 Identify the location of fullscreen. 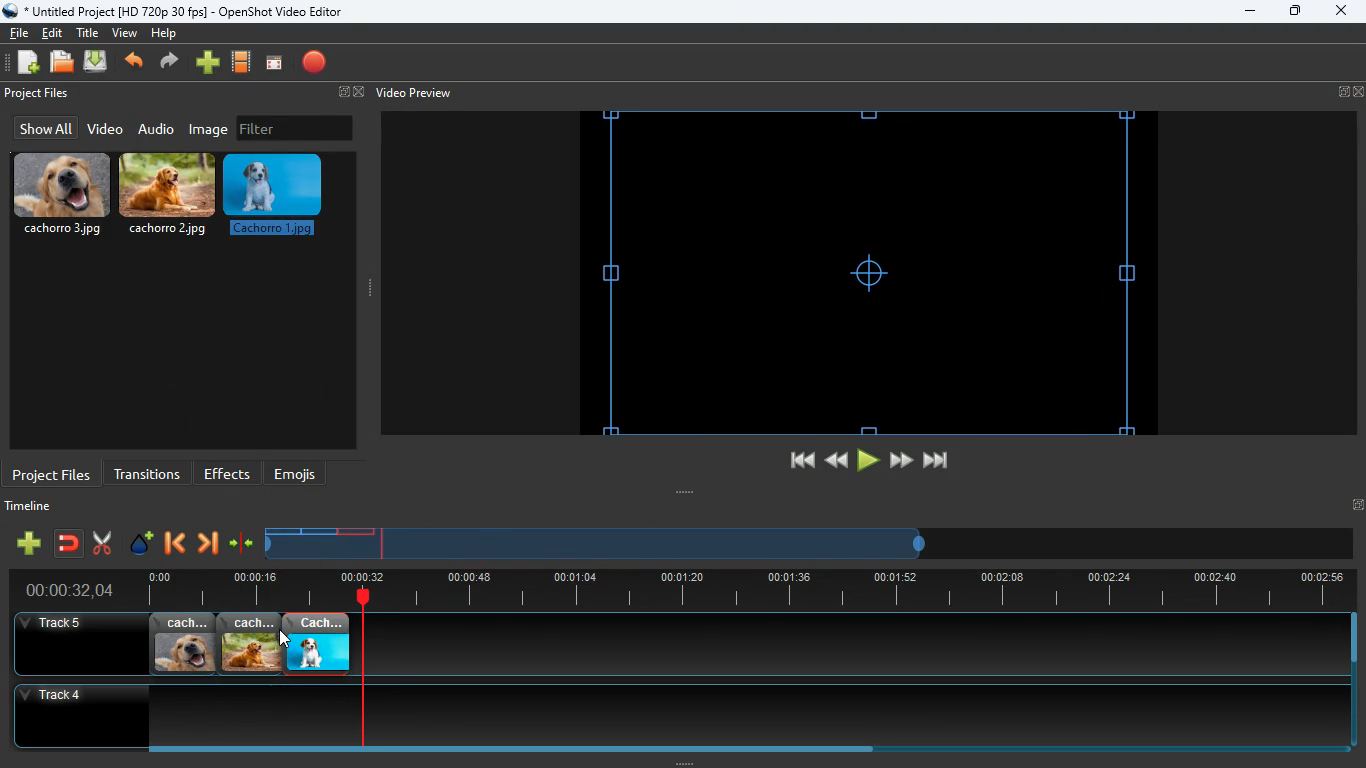
(1351, 92).